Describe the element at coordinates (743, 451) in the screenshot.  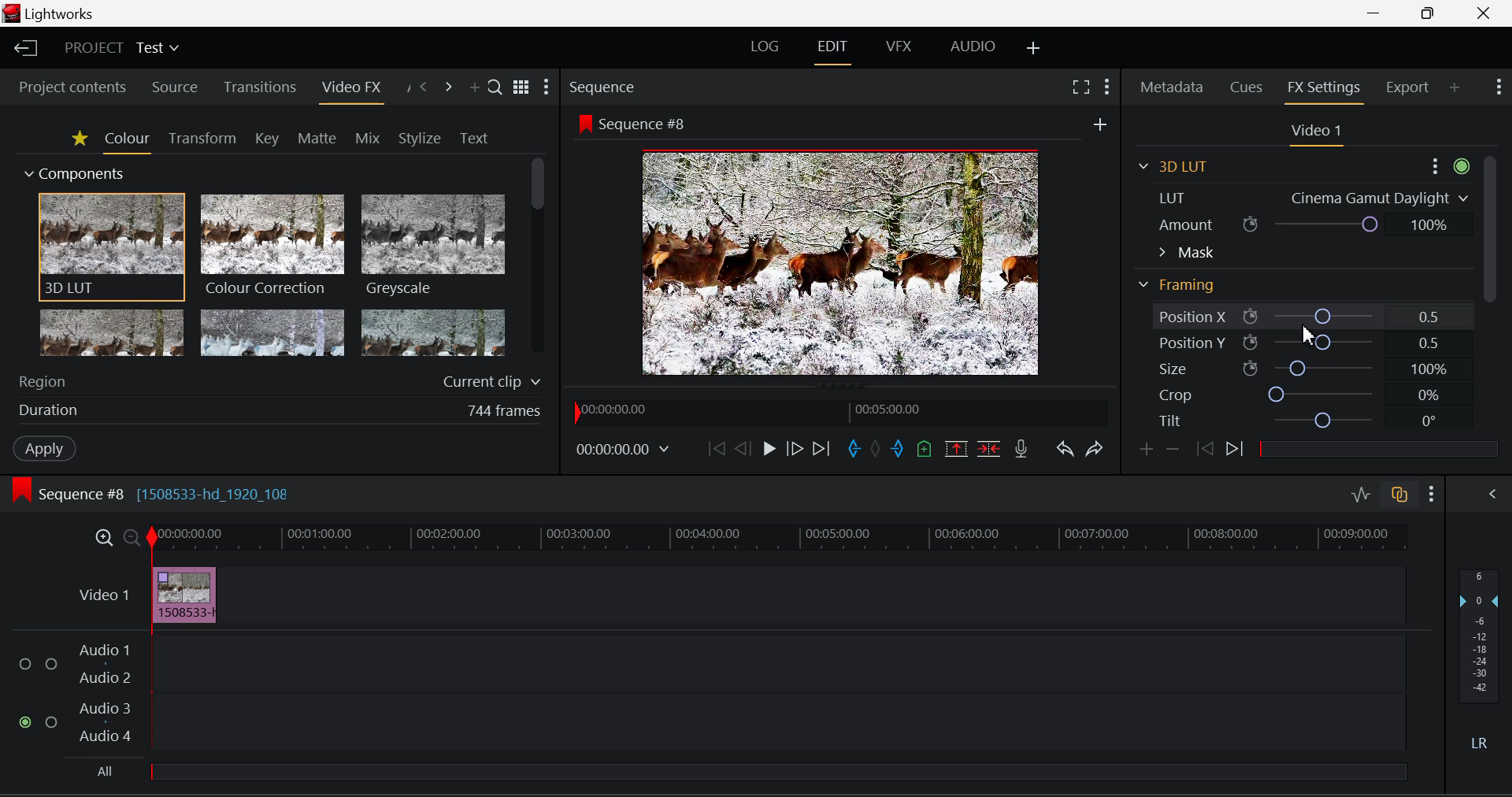
I see `Go Back` at that location.